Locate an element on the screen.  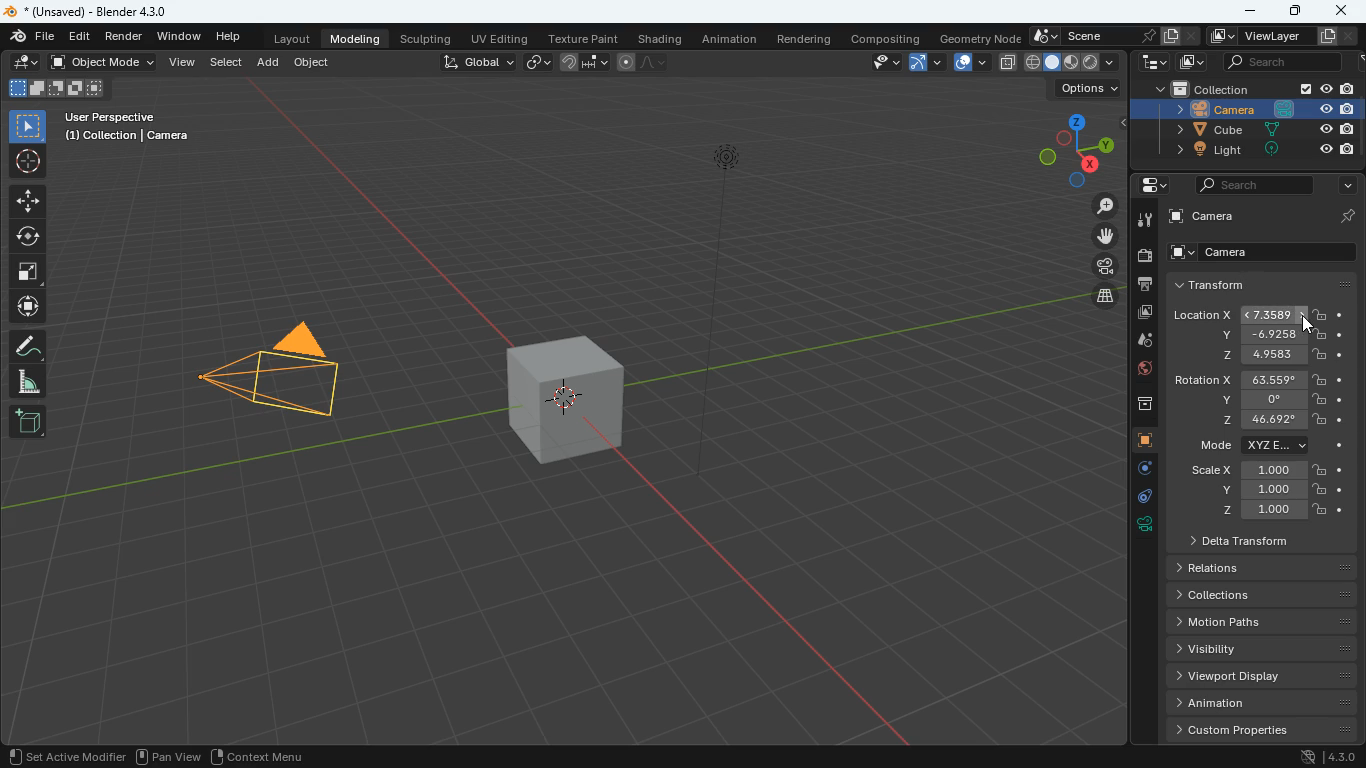
4.3.0 is located at coordinates (1328, 756).